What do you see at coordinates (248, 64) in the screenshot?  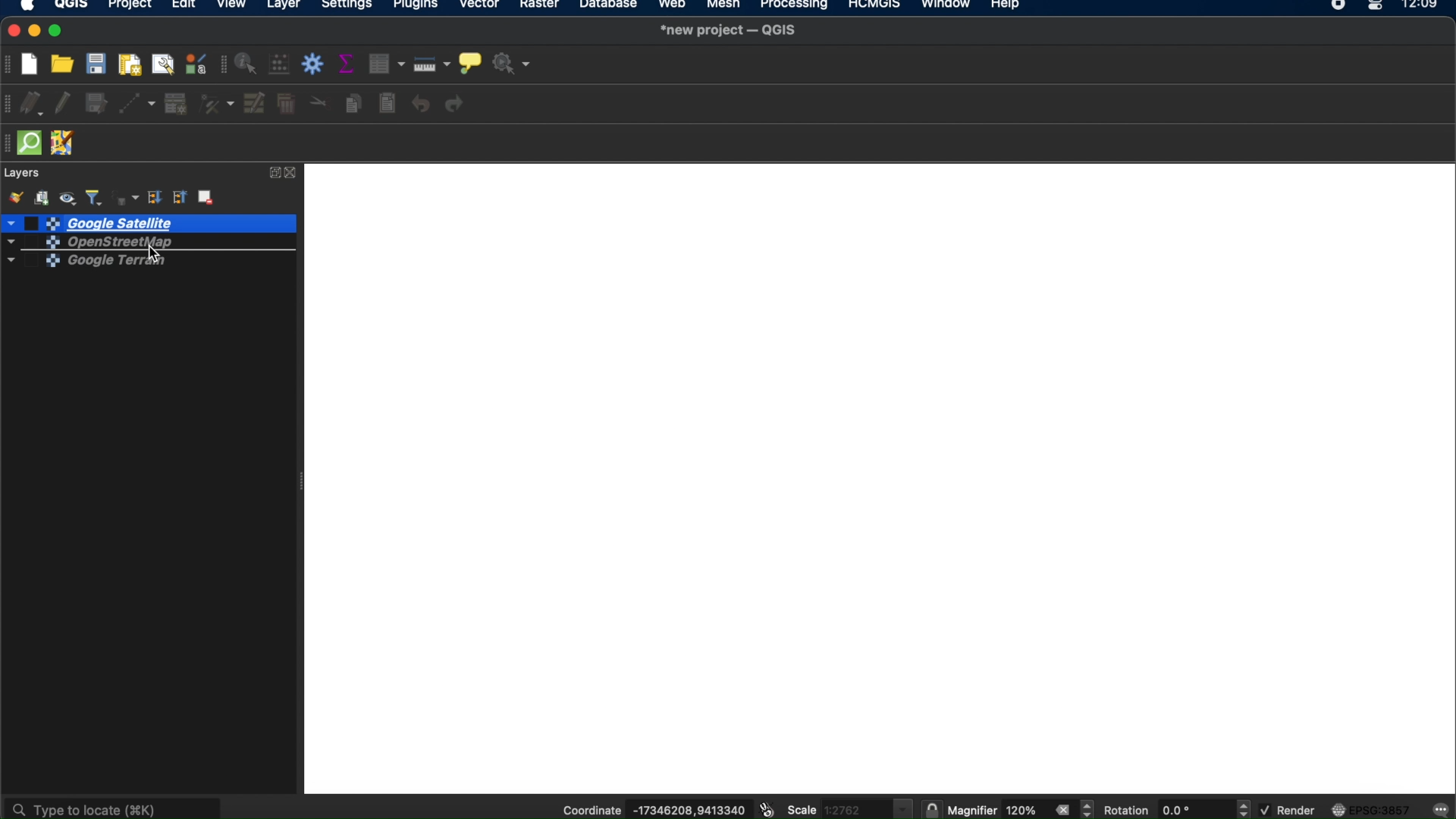 I see `identify features` at bounding box center [248, 64].